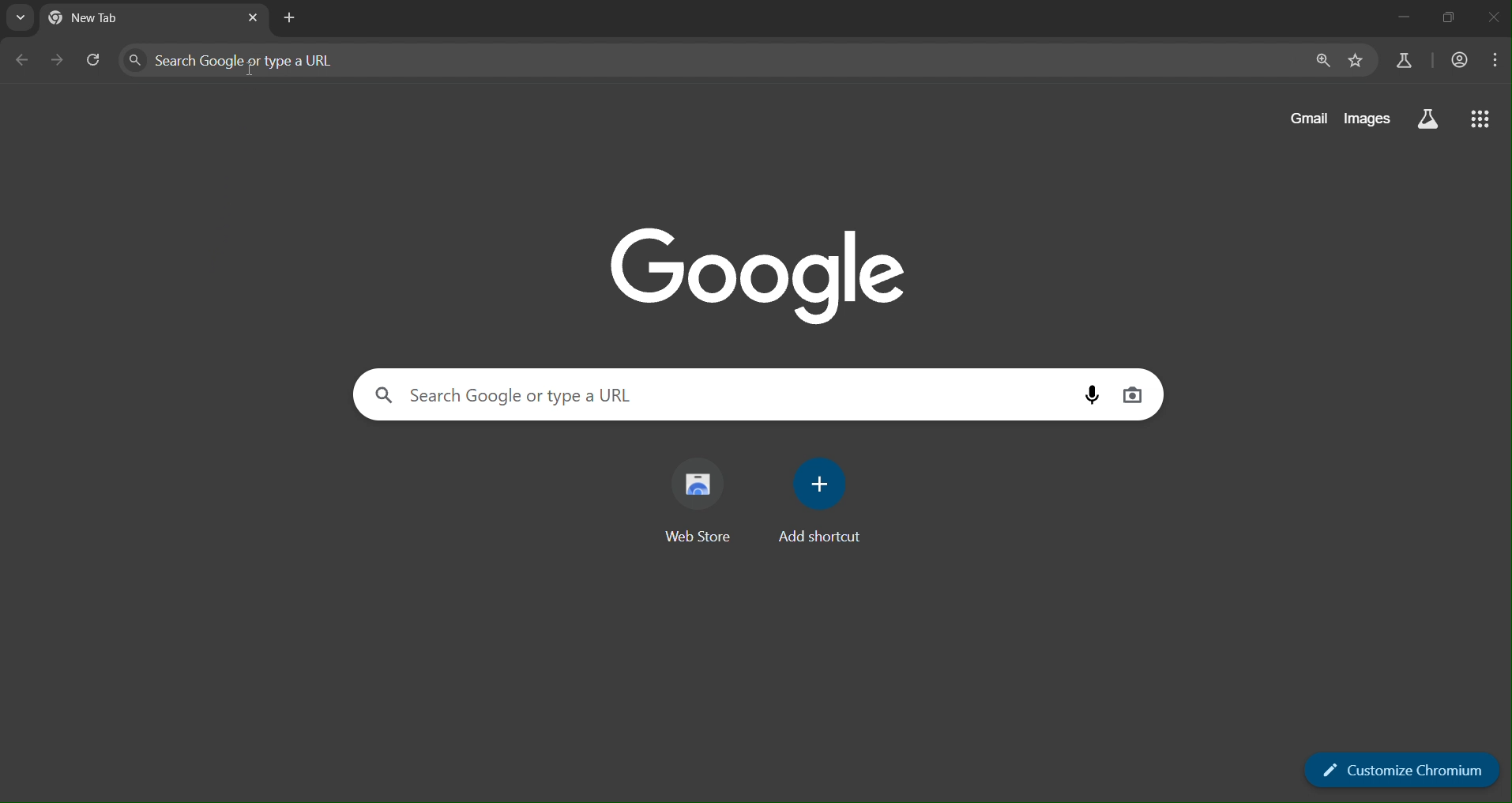 Image resolution: width=1512 pixels, height=803 pixels. What do you see at coordinates (1308, 116) in the screenshot?
I see `gmail` at bounding box center [1308, 116].